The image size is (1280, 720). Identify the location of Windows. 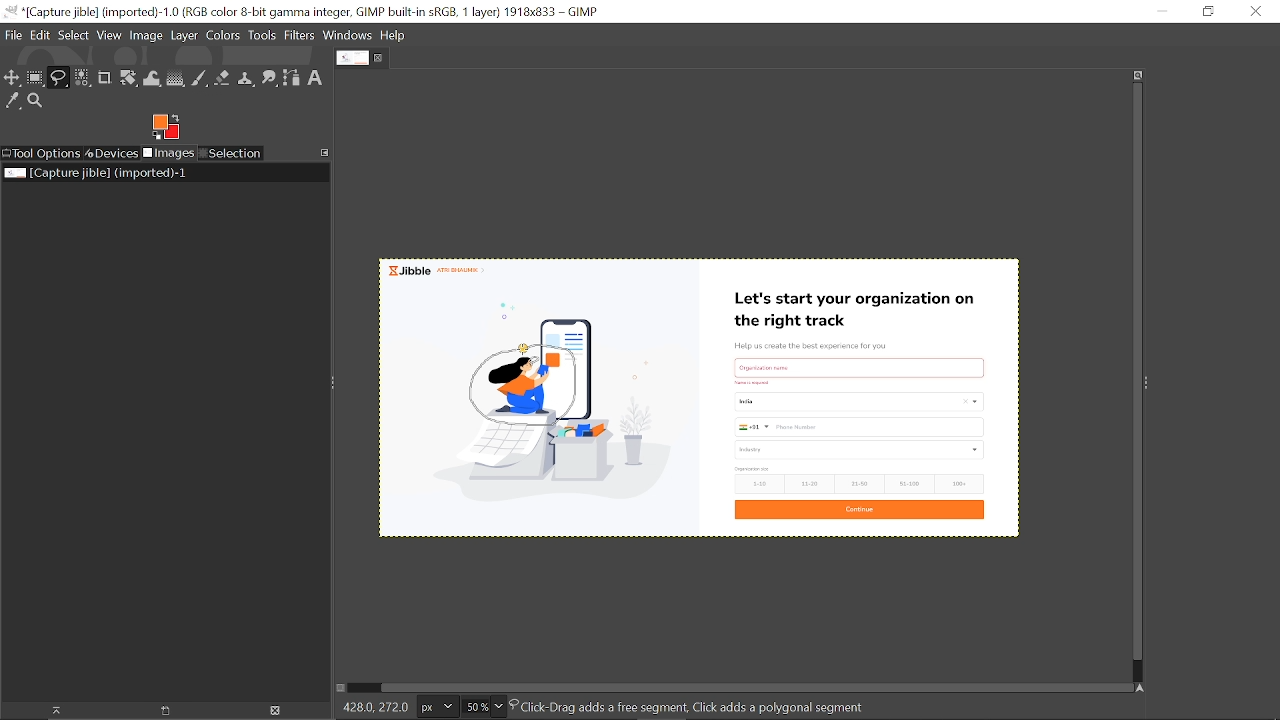
(349, 37).